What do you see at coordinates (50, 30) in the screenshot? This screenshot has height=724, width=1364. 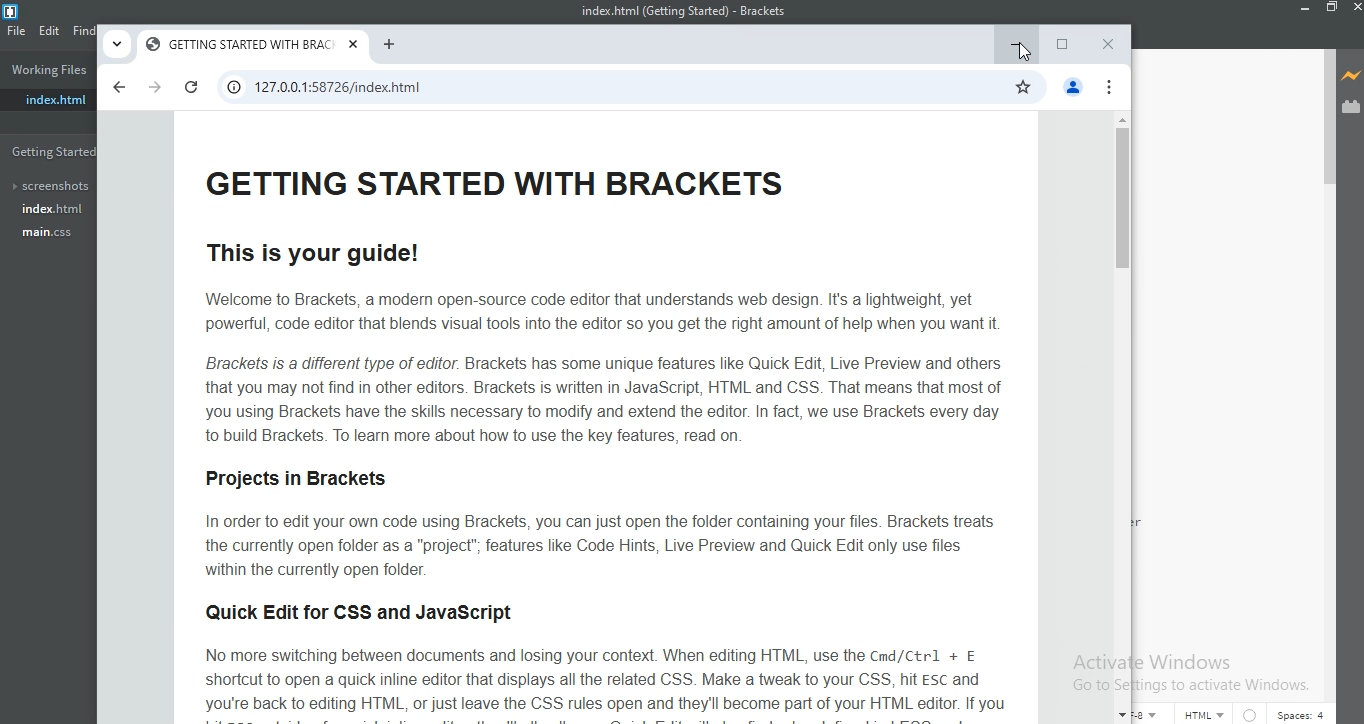 I see `edit` at bounding box center [50, 30].